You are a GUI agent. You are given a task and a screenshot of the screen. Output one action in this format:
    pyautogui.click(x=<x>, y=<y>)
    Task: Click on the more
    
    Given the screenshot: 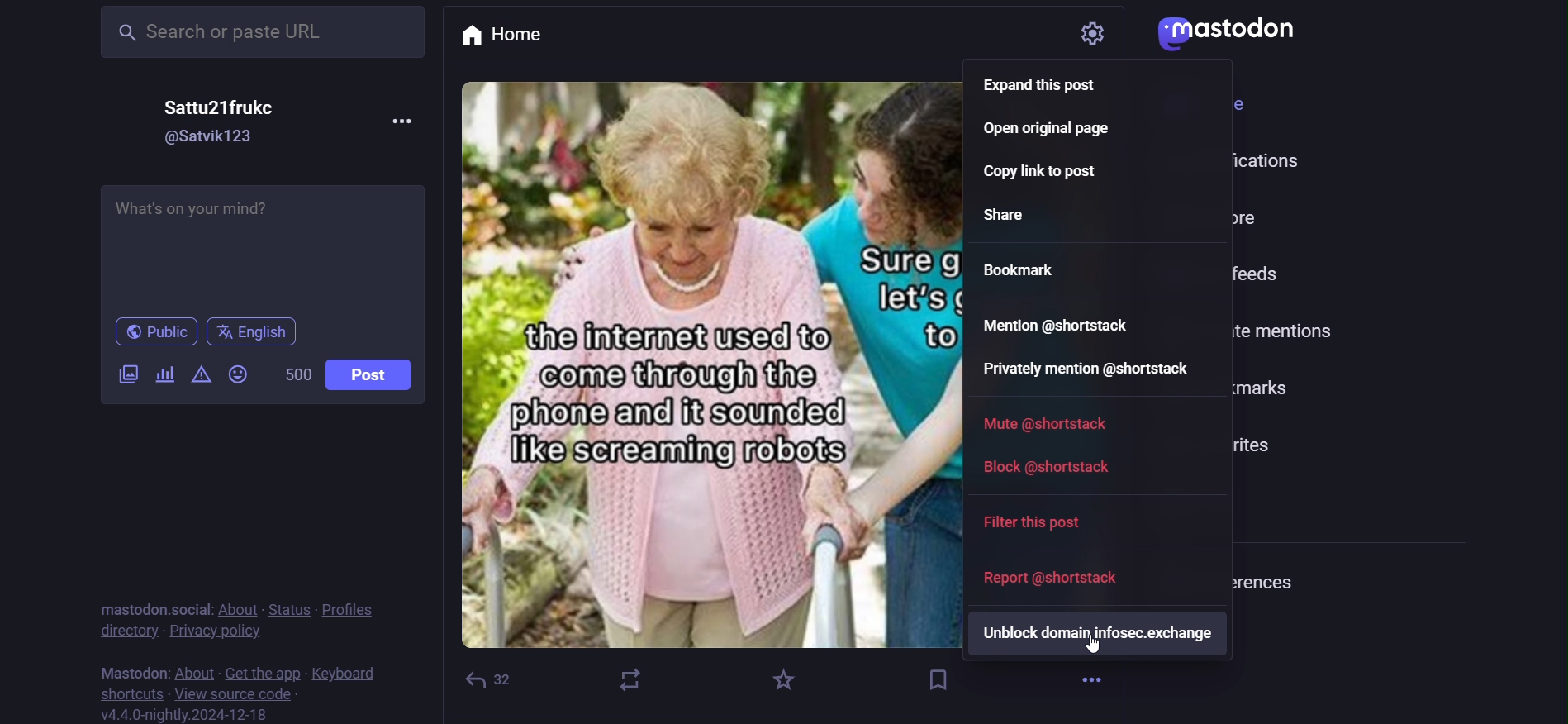 What is the action you would take?
    pyautogui.click(x=401, y=123)
    